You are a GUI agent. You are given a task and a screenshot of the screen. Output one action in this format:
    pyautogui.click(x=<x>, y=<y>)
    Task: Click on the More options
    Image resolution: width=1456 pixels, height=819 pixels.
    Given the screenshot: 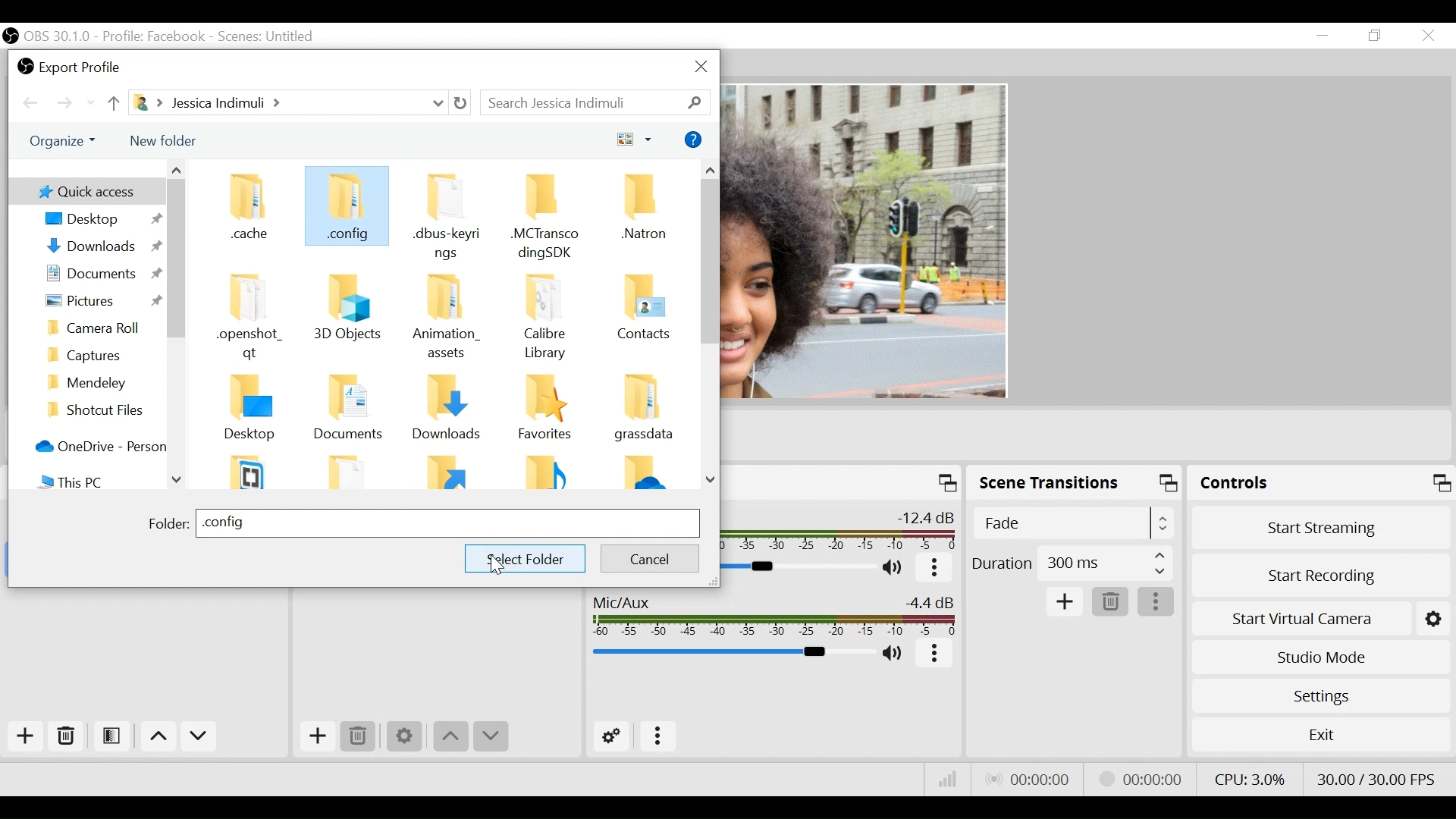 What is the action you would take?
    pyautogui.click(x=661, y=738)
    